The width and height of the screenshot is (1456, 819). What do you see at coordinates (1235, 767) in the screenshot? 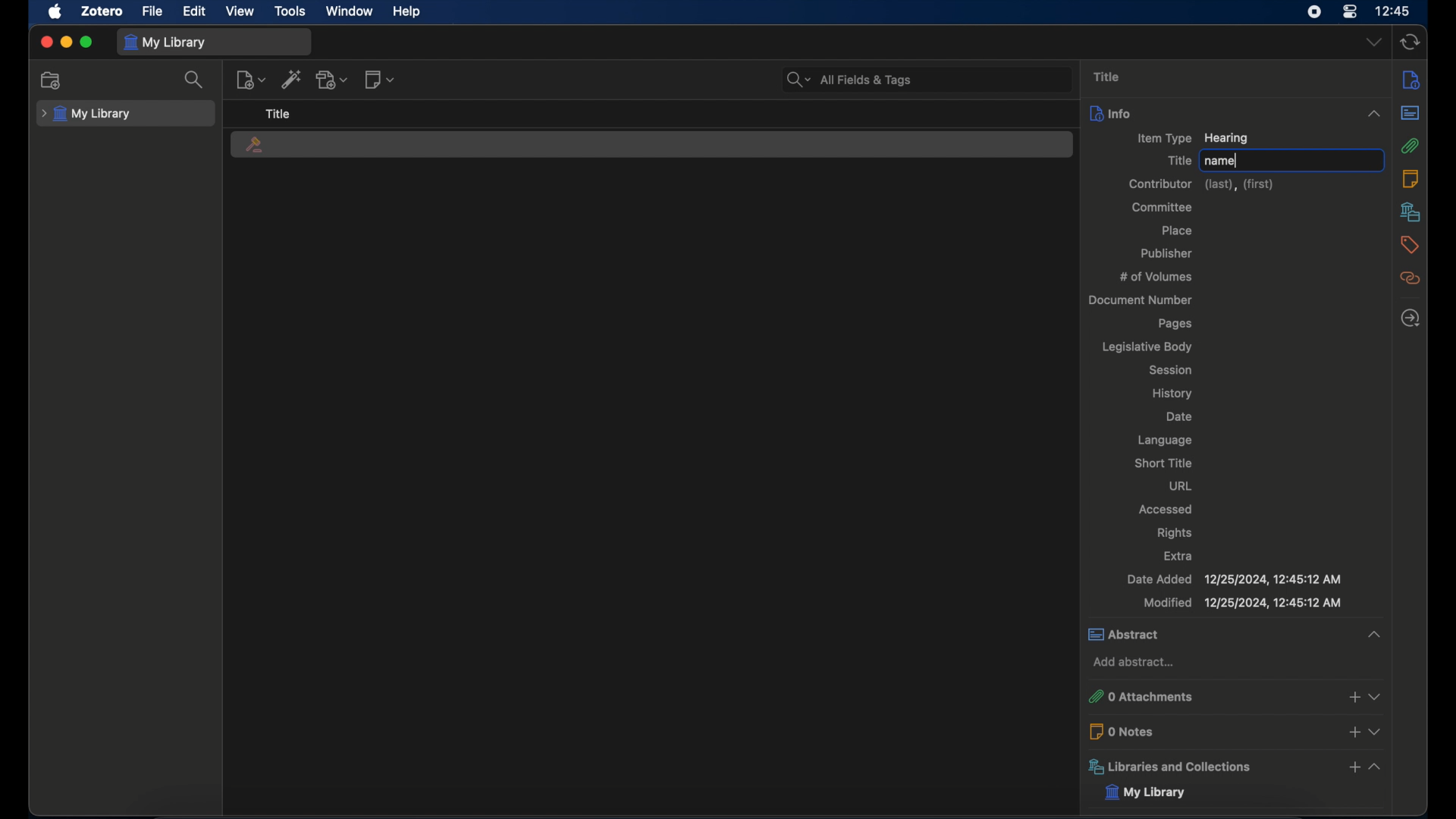
I see `libraries and collections` at bounding box center [1235, 767].